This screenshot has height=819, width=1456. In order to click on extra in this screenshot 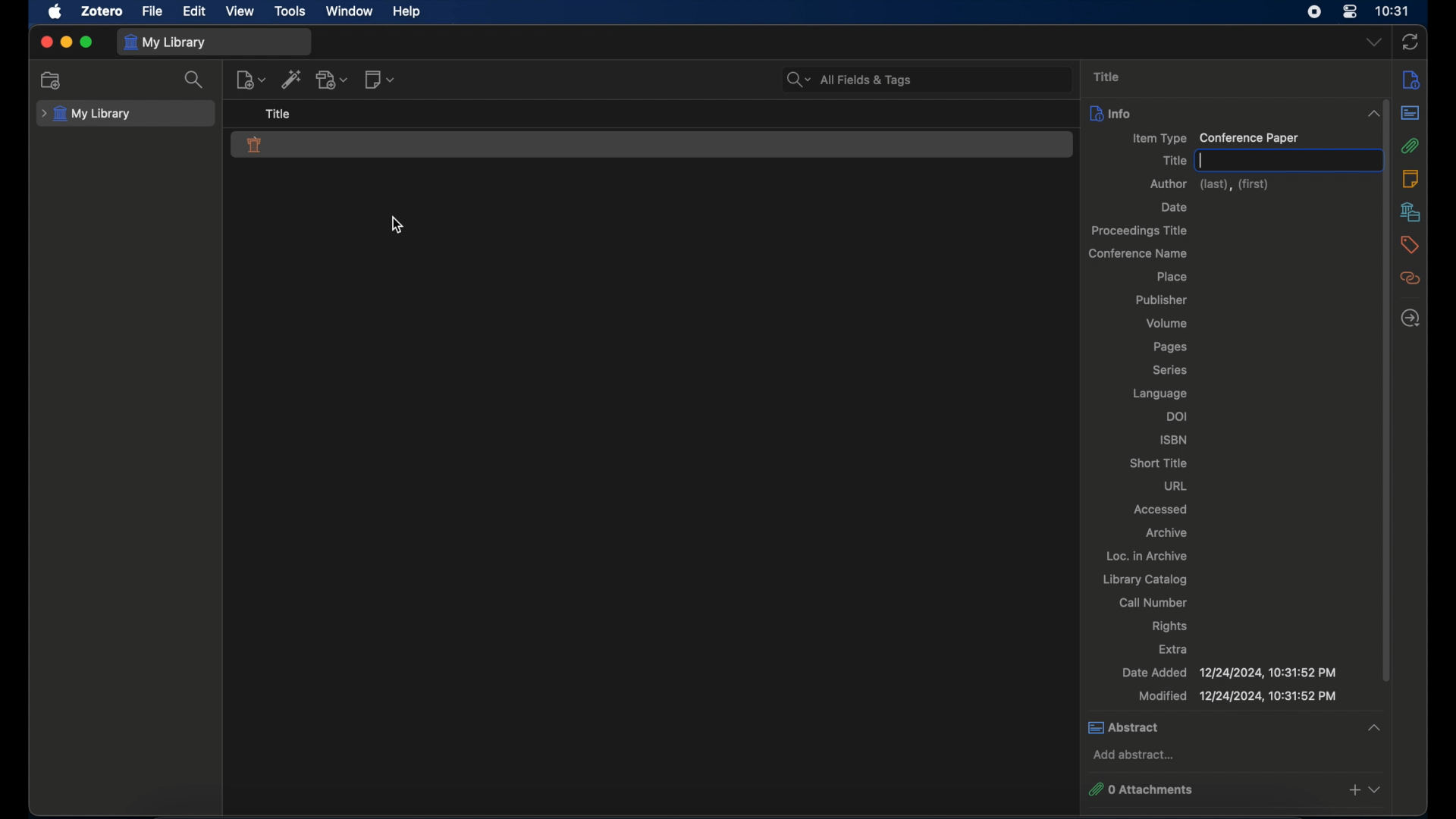, I will do `click(1173, 649)`.